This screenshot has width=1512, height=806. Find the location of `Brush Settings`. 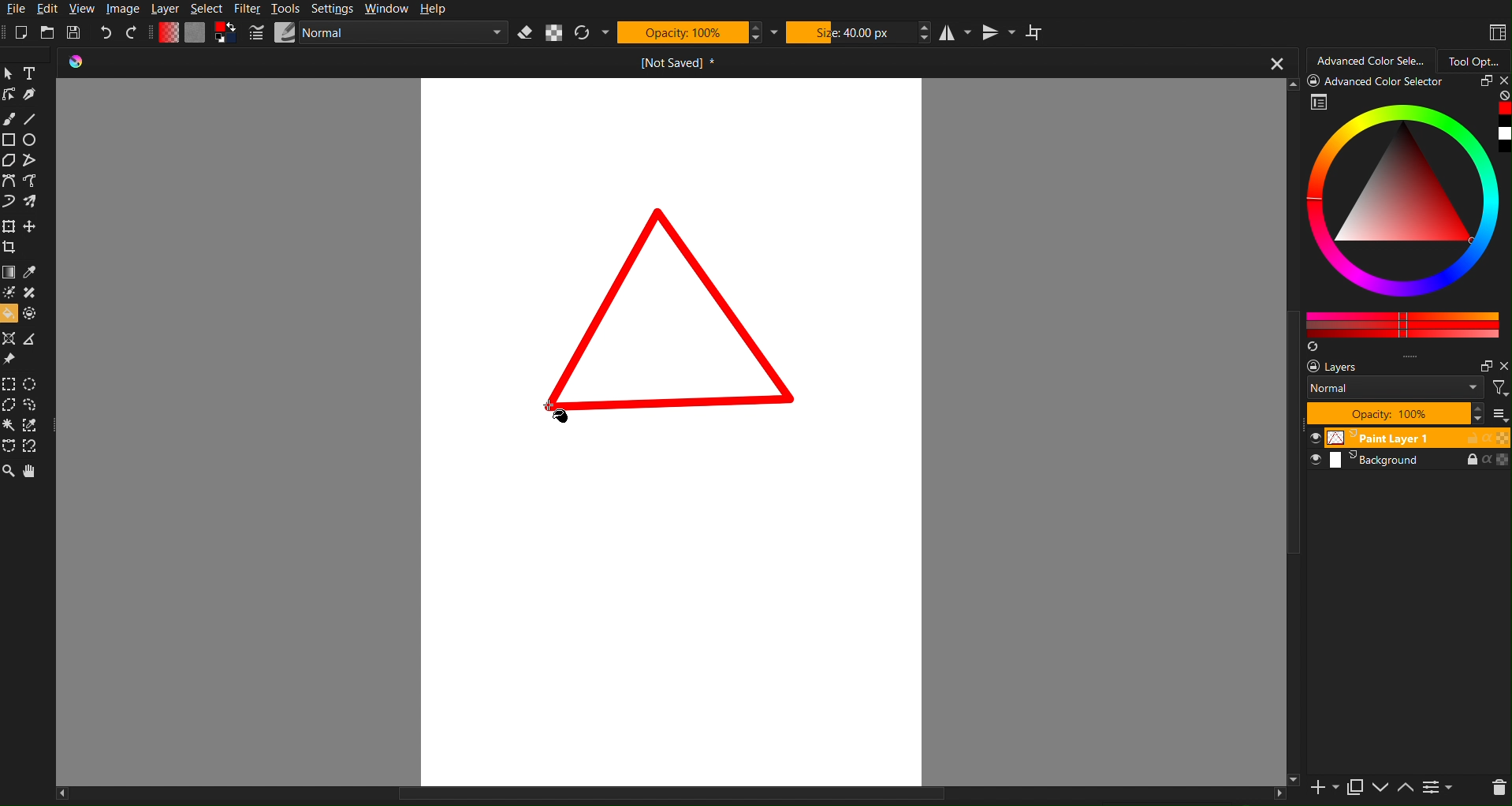

Brush Settings is located at coordinates (381, 34).